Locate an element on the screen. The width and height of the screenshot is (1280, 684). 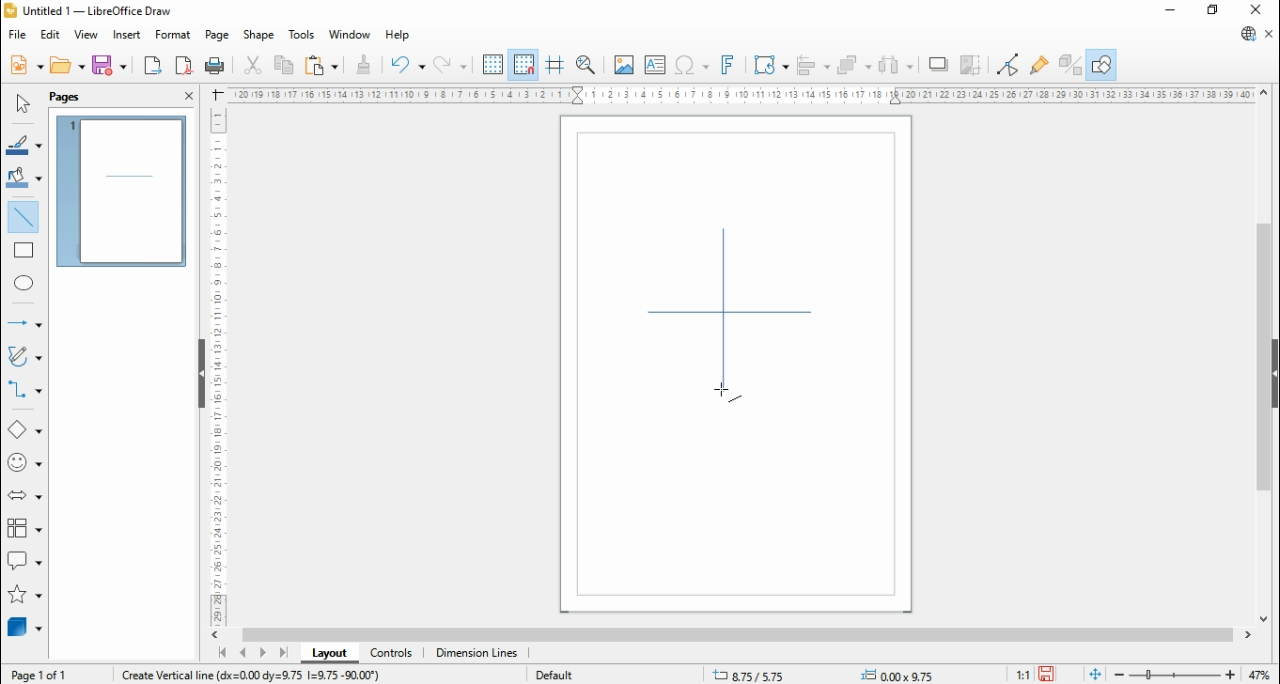
scroll bar is located at coordinates (737, 635).